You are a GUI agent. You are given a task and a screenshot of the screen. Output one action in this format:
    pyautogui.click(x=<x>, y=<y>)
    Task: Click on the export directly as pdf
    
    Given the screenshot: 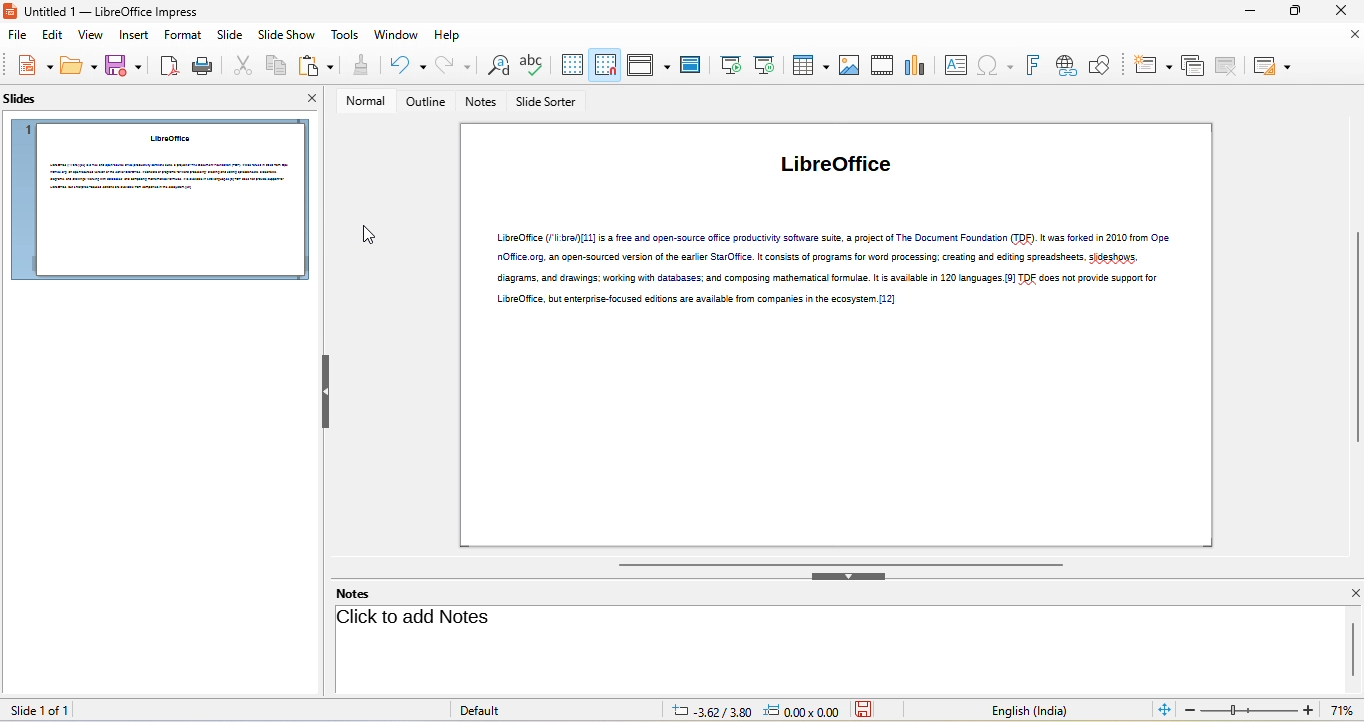 What is the action you would take?
    pyautogui.click(x=168, y=65)
    